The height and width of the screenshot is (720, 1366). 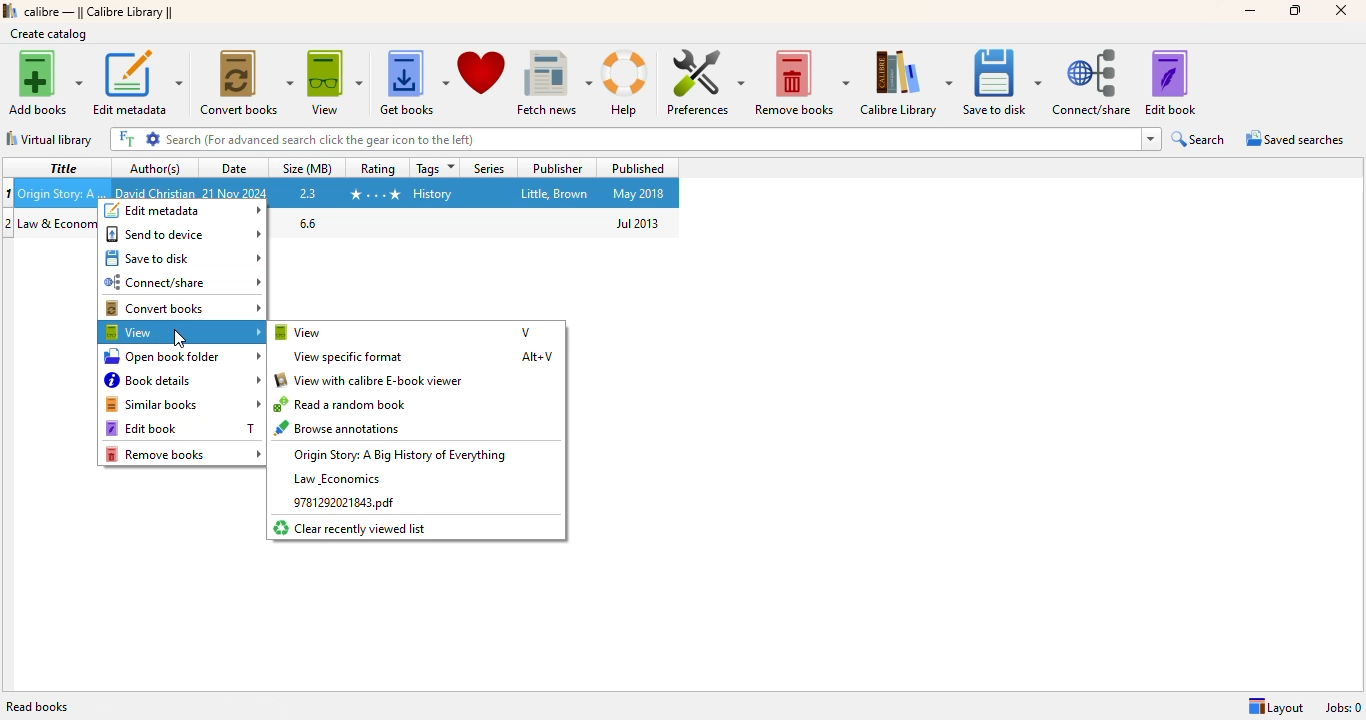 What do you see at coordinates (153, 139) in the screenshot?
I see `settings` at bounding box center [153, 139].